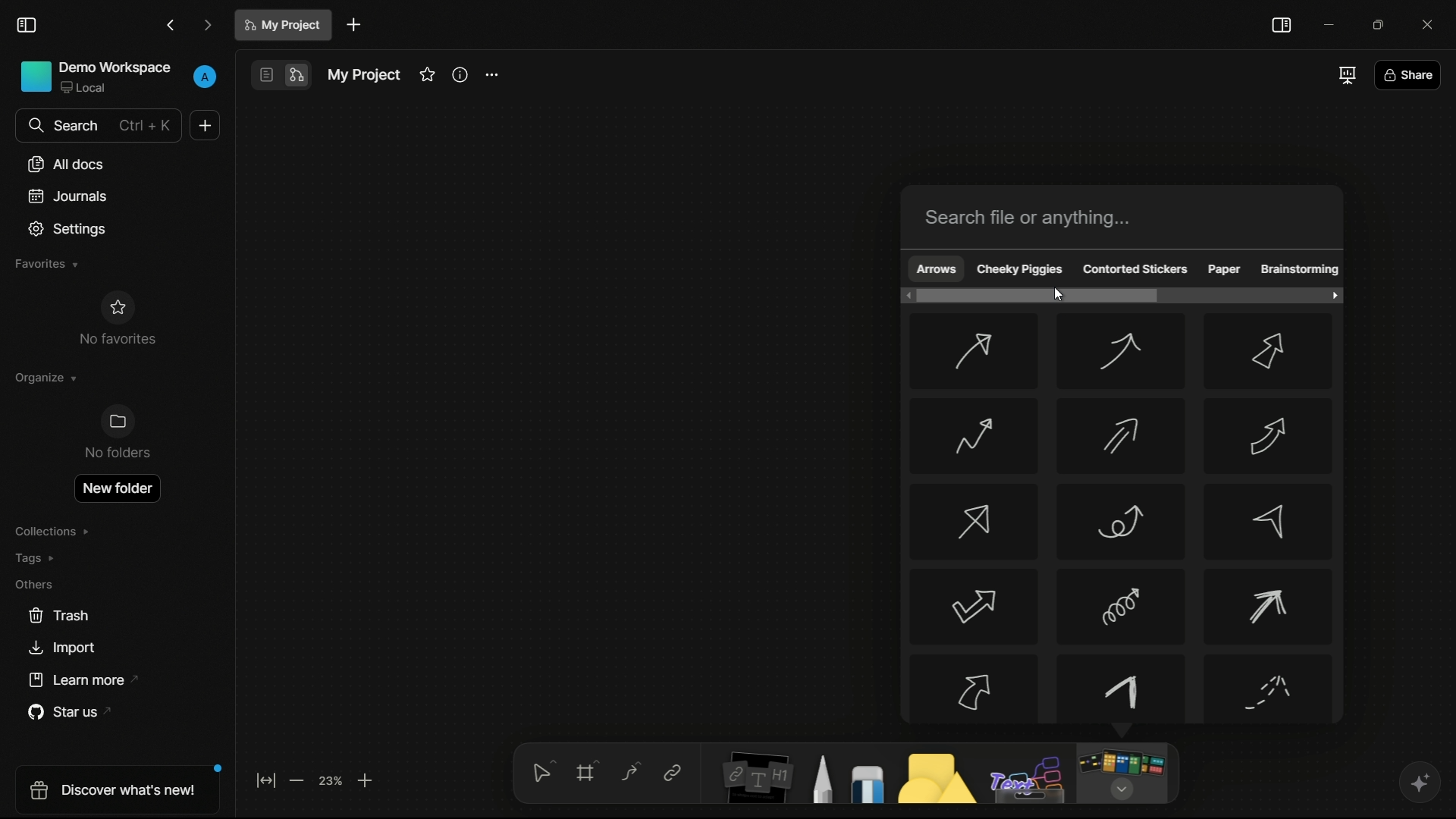  I want to click on scroll right, so click(1332, 295).